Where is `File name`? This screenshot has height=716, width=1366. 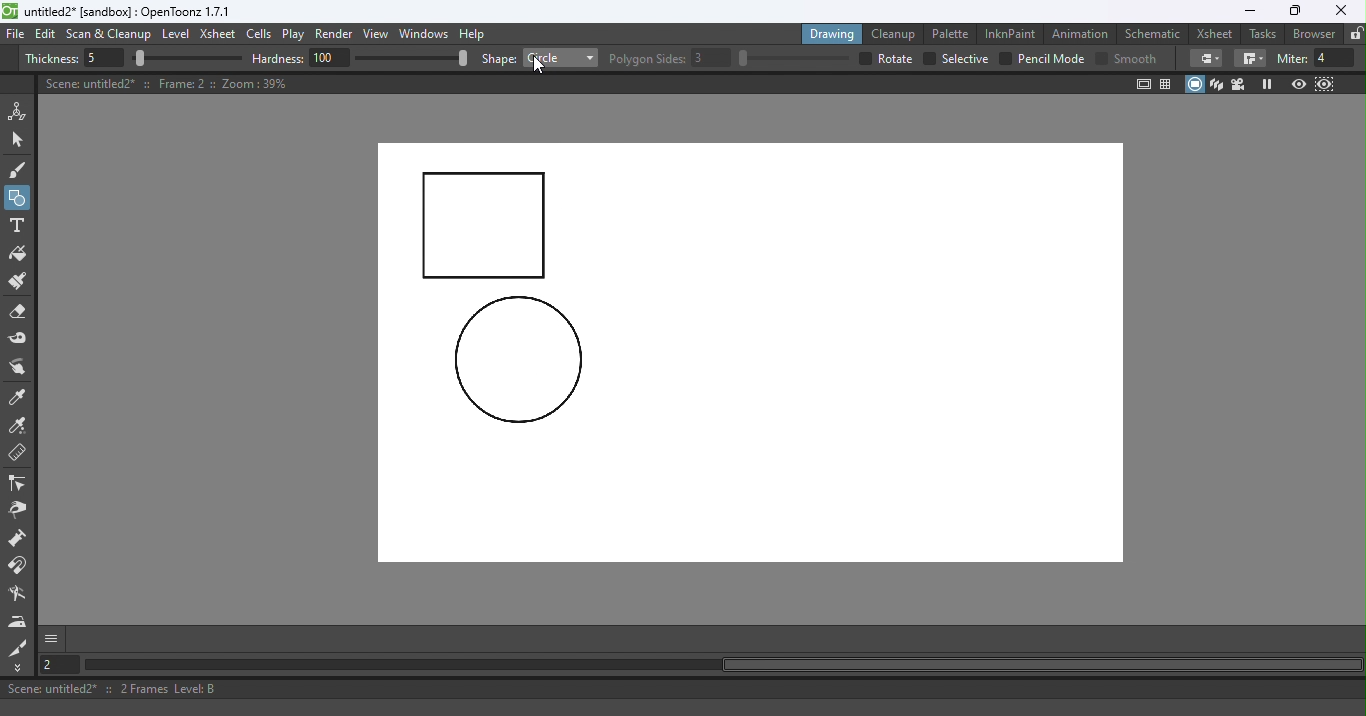 File name is located at coordinates (129, 12).